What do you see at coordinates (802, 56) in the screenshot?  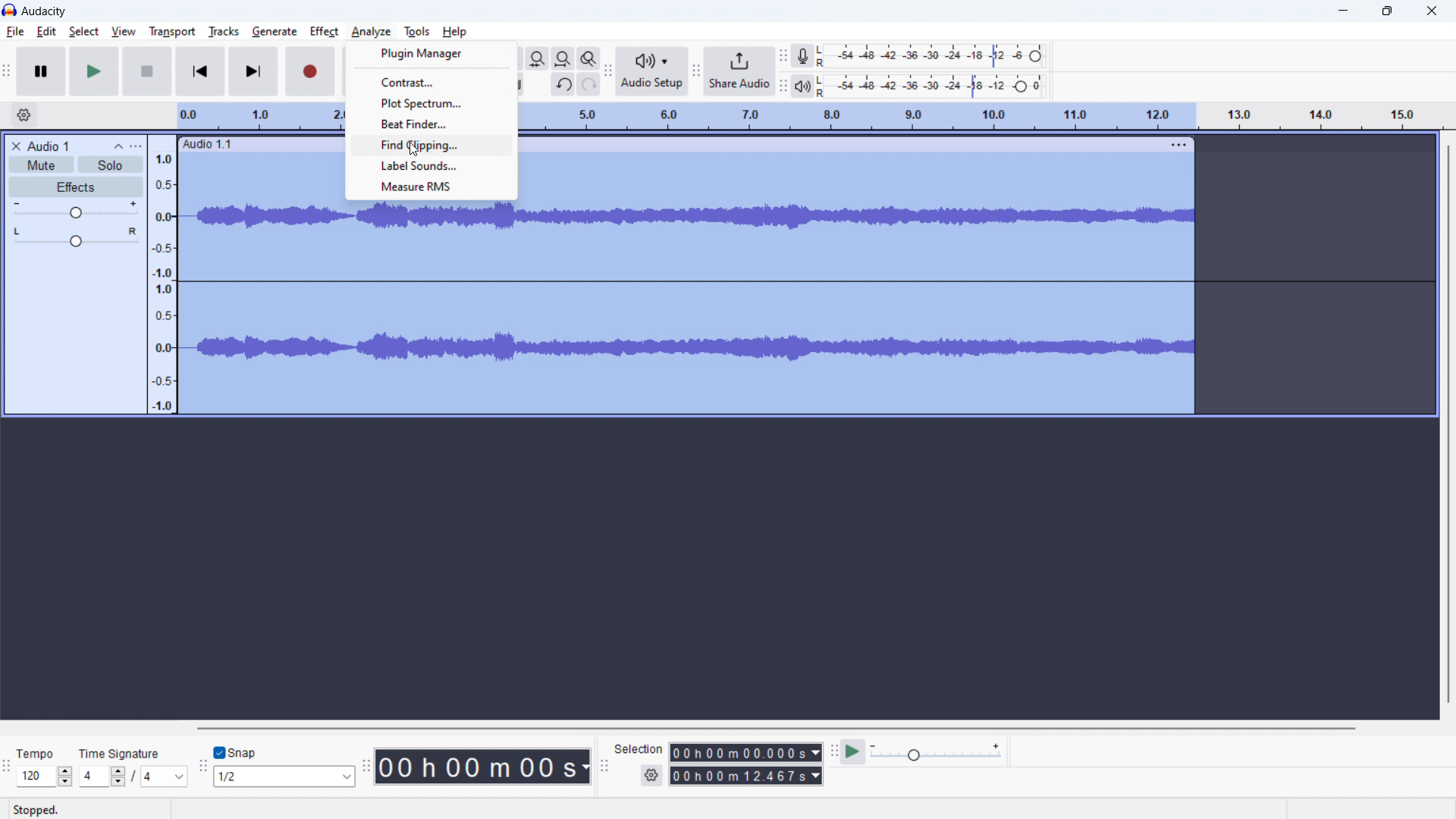 I see `recording meter` at bounding box center [802, 56].